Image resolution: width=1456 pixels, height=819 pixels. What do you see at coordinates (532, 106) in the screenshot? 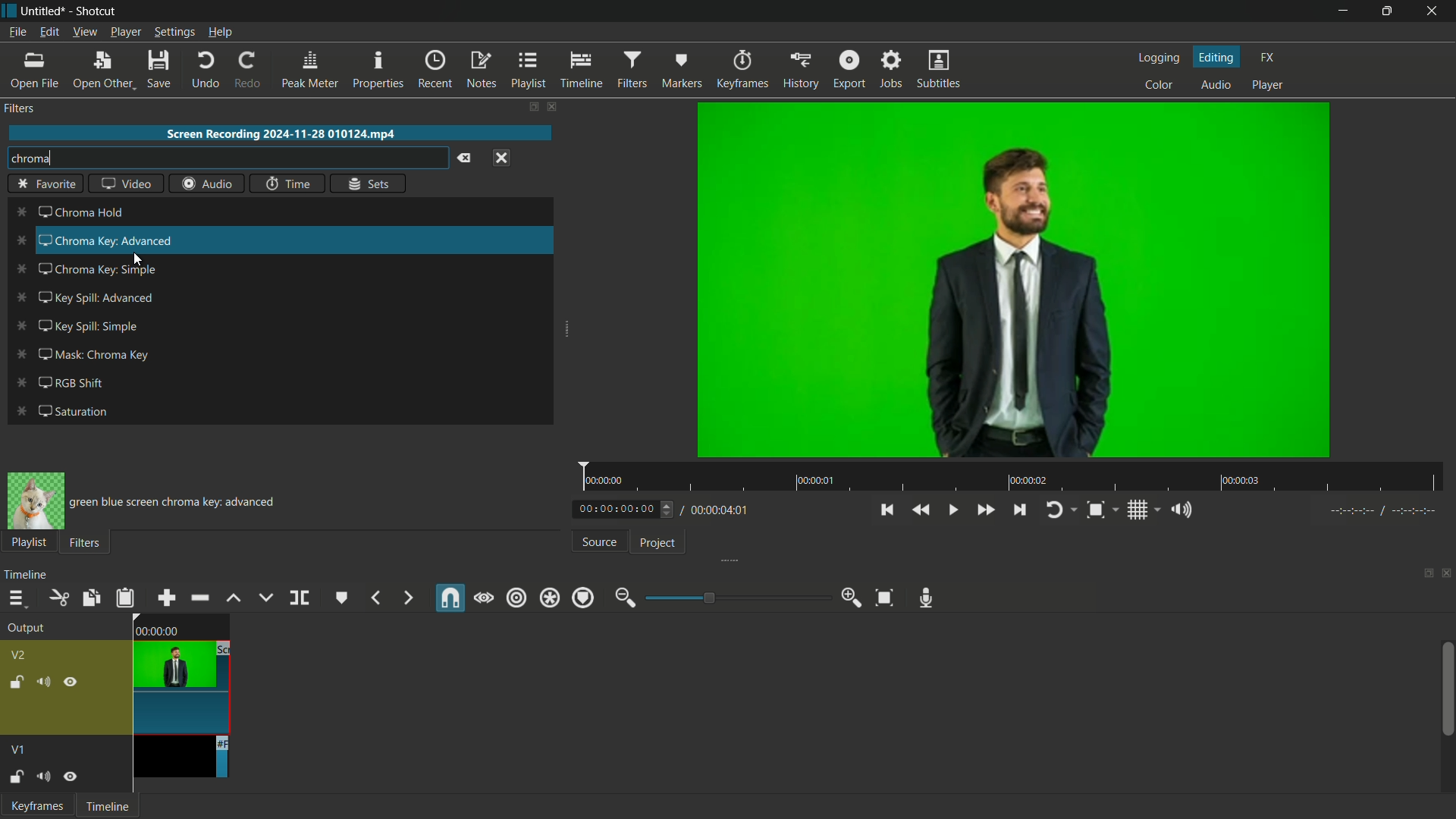
I see `change layout` at bounding box center [532, 106].